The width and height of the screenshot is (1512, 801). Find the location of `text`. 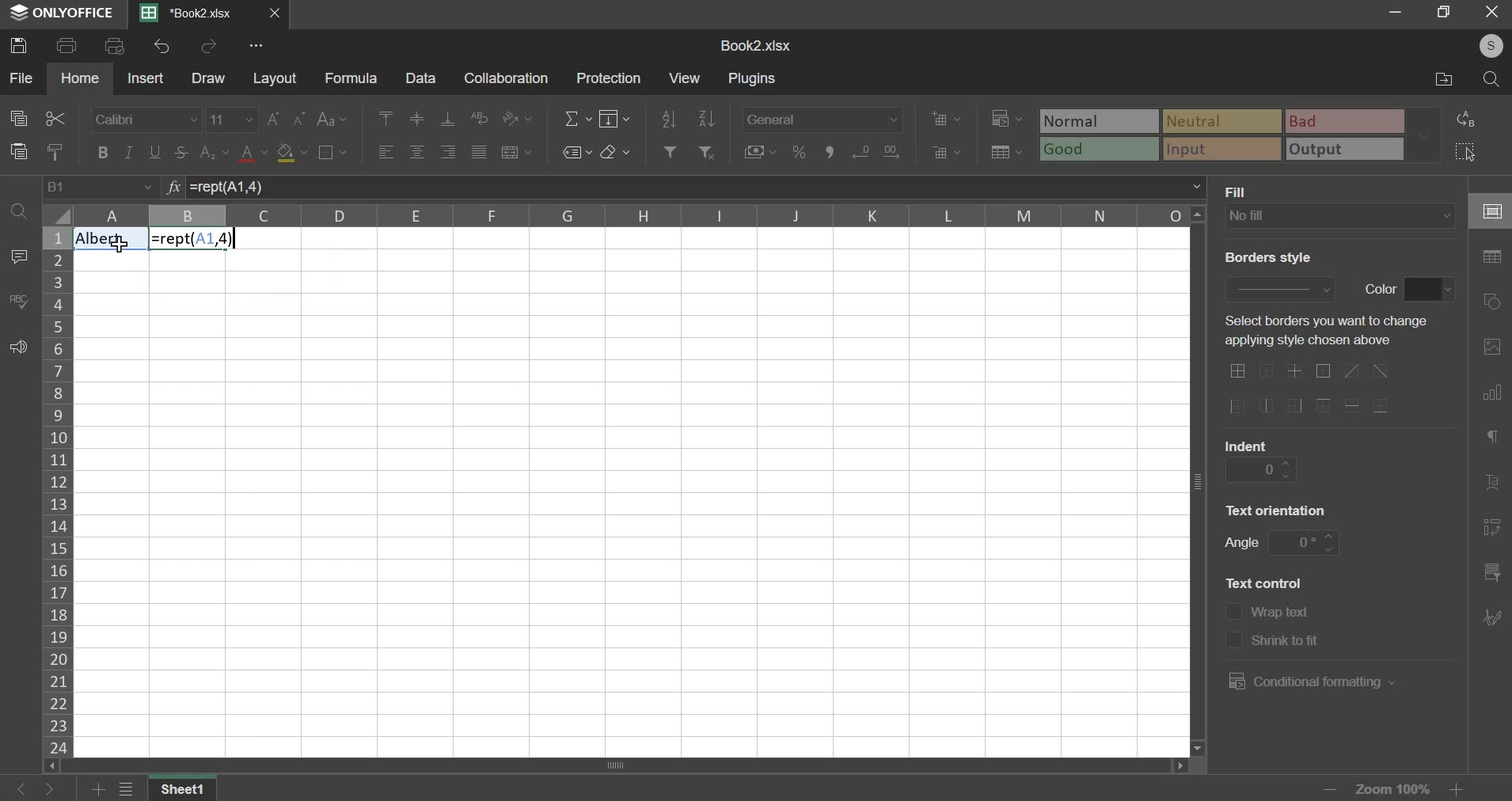

text is located at coordinates (1266, 256).